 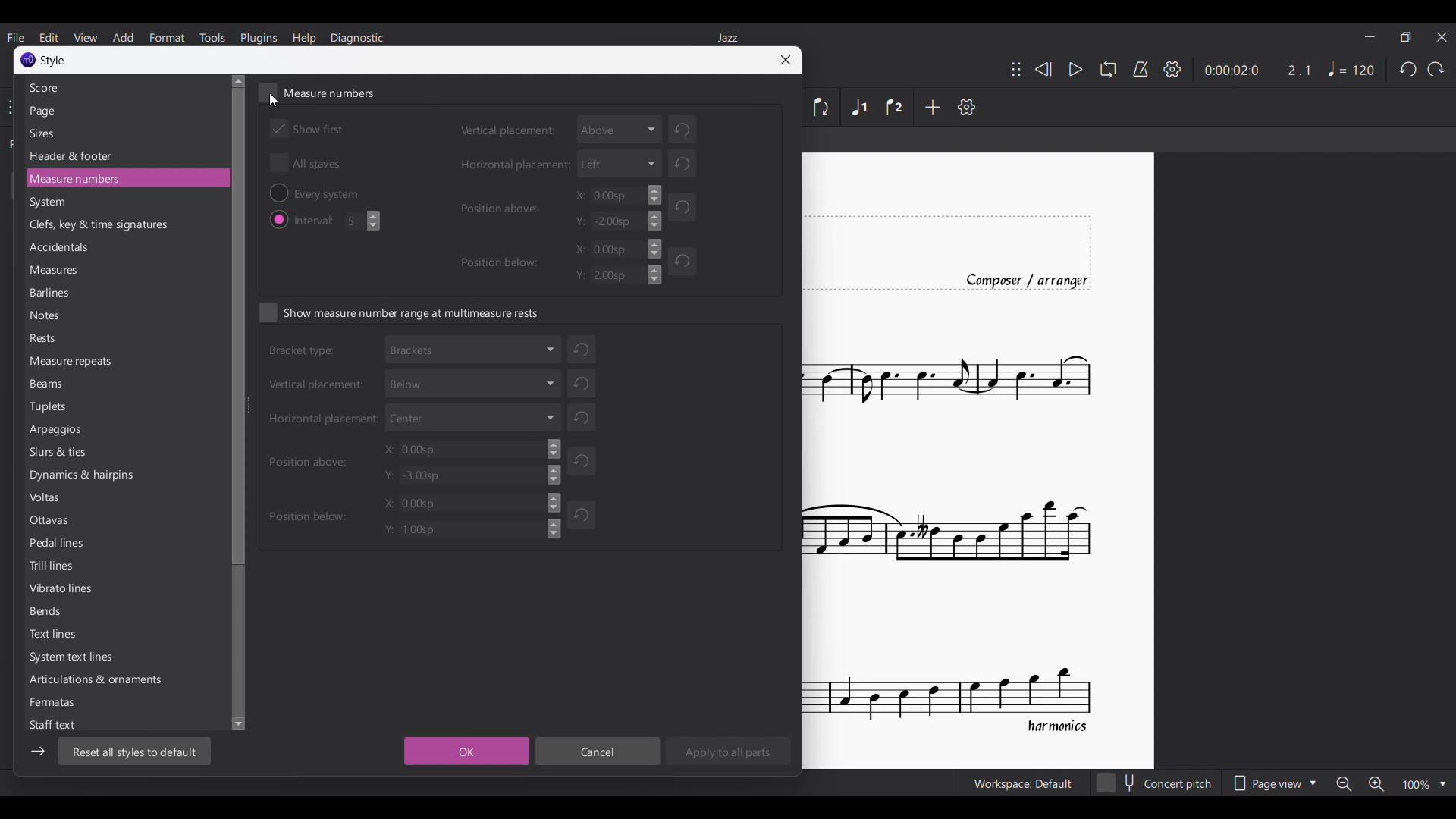 What do you see at coordinates (63, 431) in the screenshot?
I see `Arpeggies` at bounding box center [63, 431].